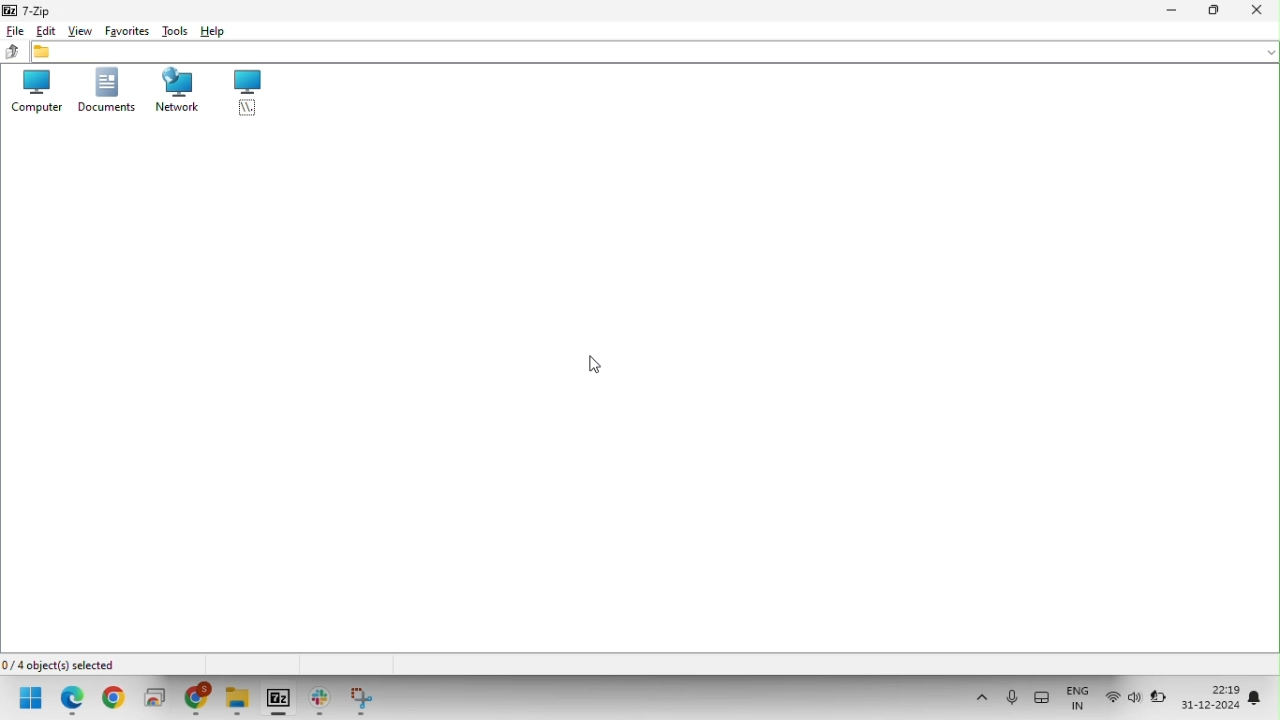 This screenshot has height=720, width=1280. I want to click on microsoft edge, so click(70, 701).